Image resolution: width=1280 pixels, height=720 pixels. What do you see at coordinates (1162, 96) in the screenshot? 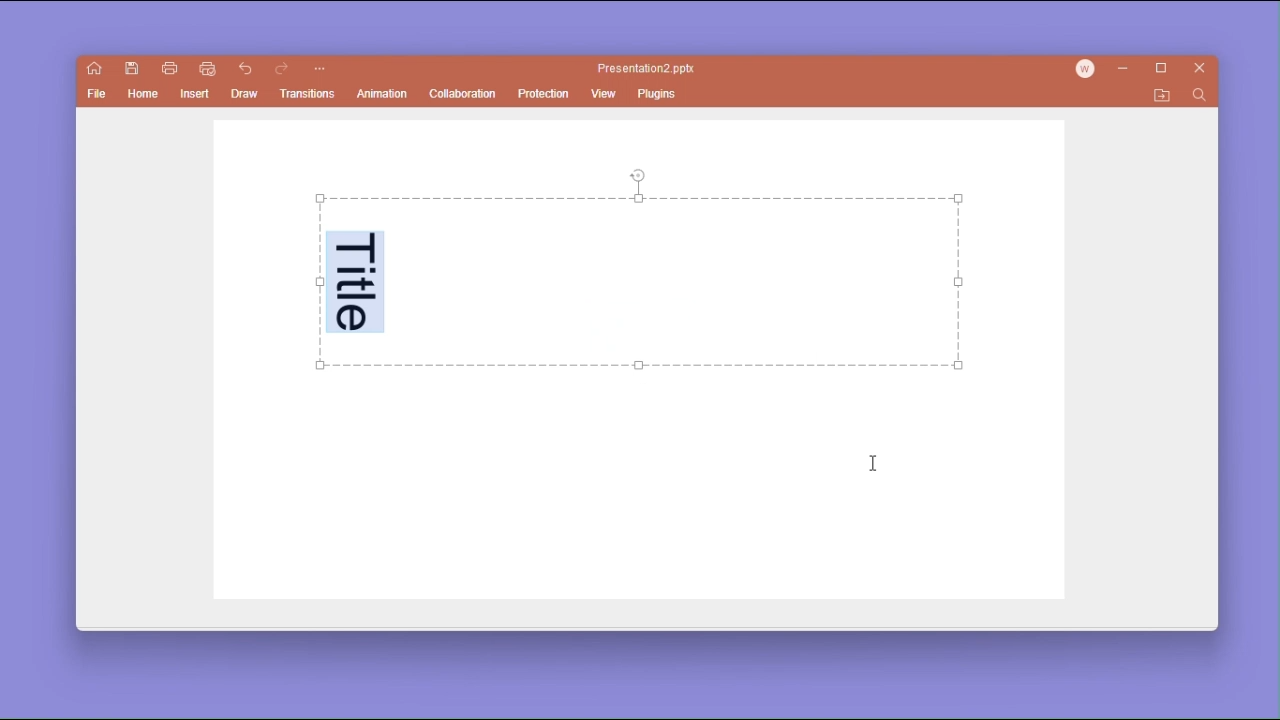
I see `open file location` at bounding box center [1162, 96].